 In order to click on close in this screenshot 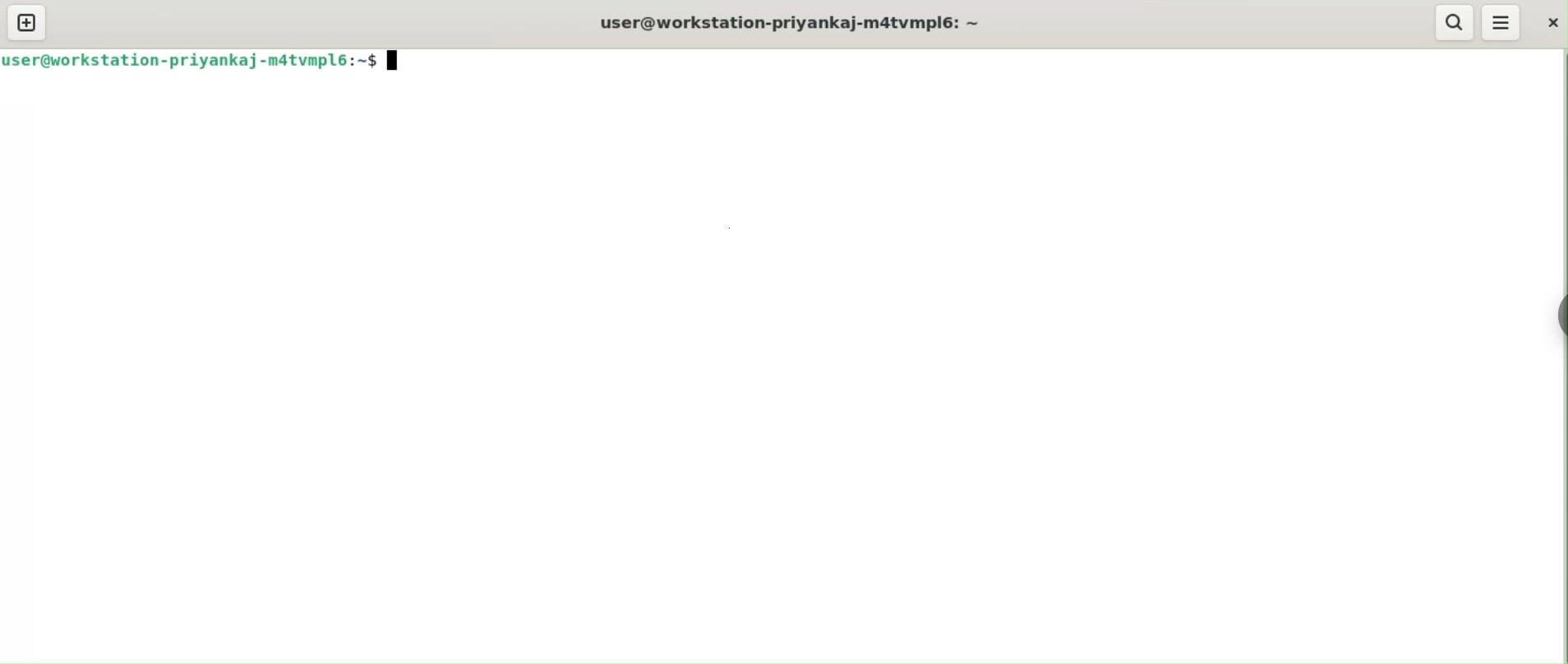, I will do `click(1545, 20)`.